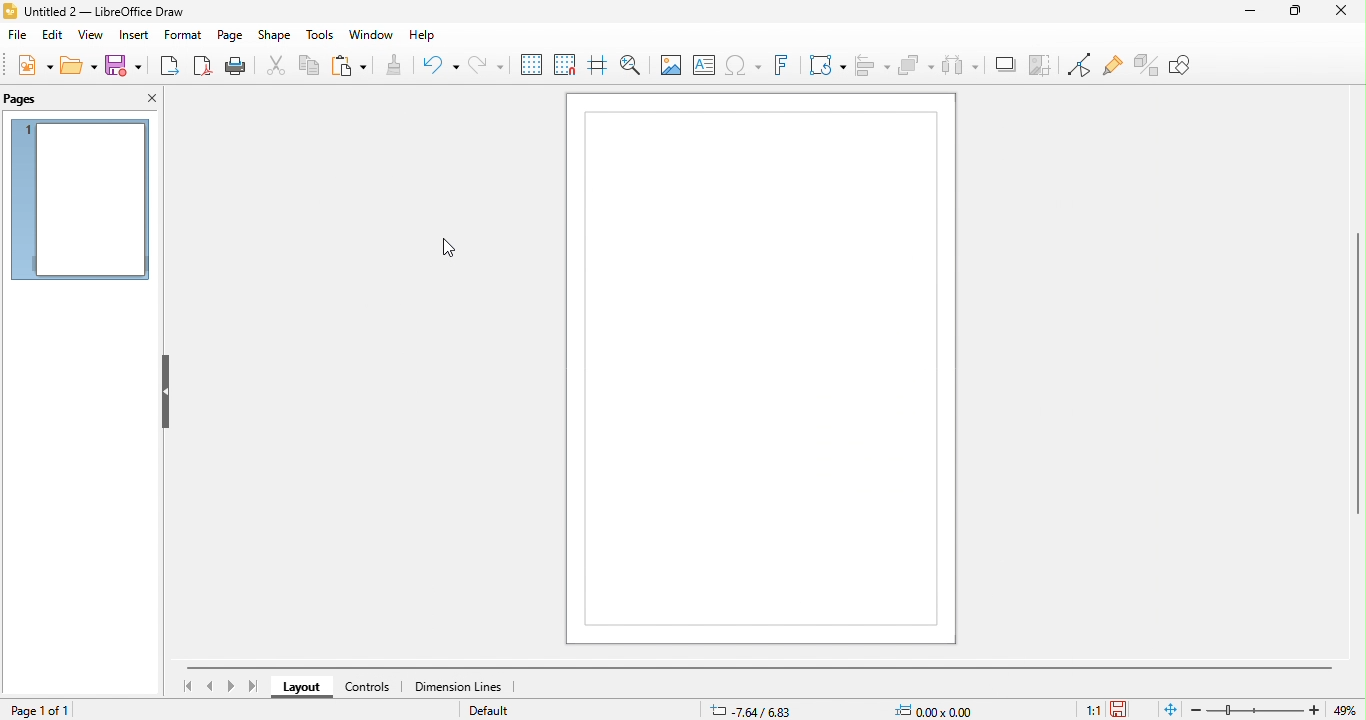 The image size is (1366, 720). Describe the element at coordinates (43, 99) in the screenshot. I see `pages` at that location.